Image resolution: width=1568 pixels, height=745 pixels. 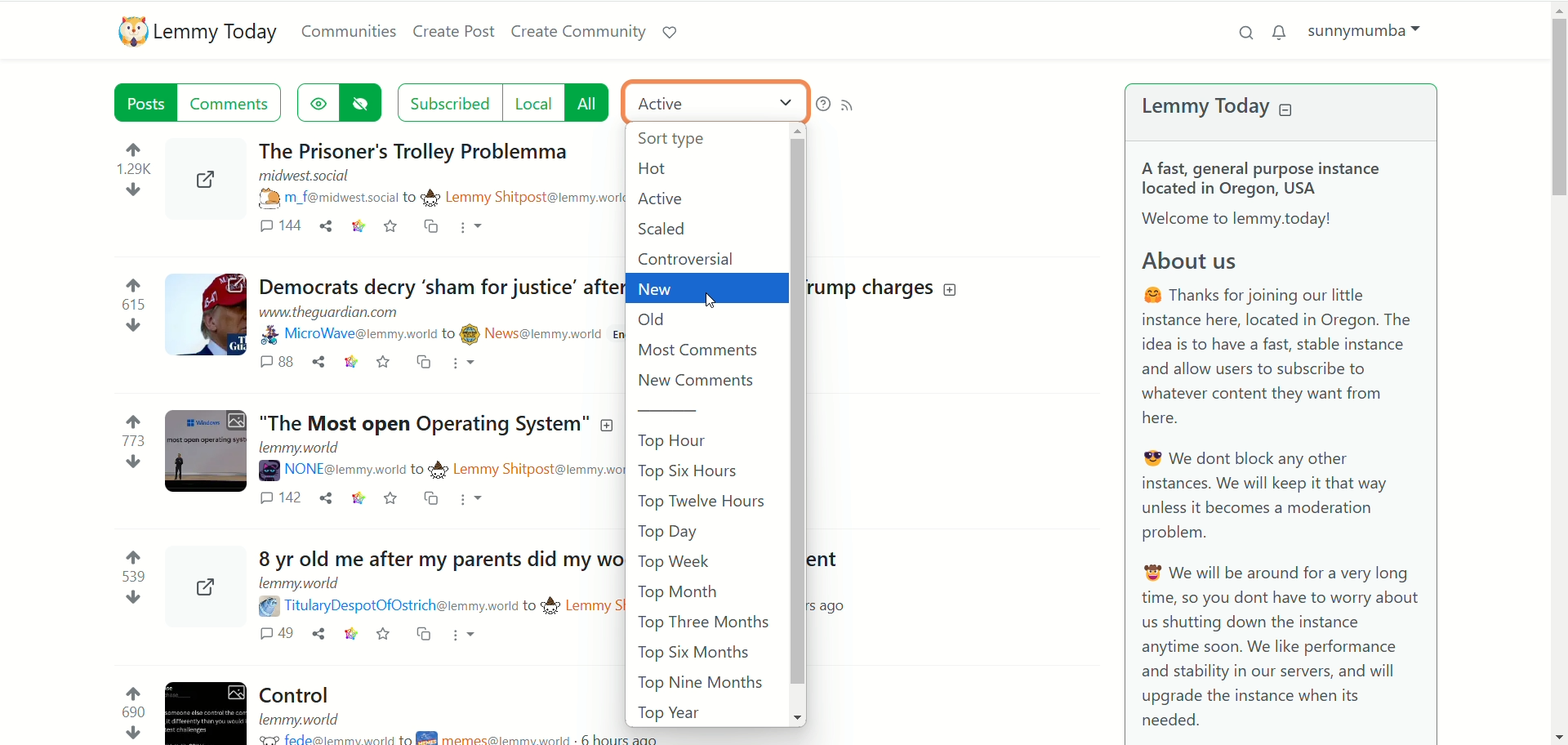 What do you see at coordinates (1278, 33) in the screenshot?
I see `Notifications` at bounding box center [1278, 33].